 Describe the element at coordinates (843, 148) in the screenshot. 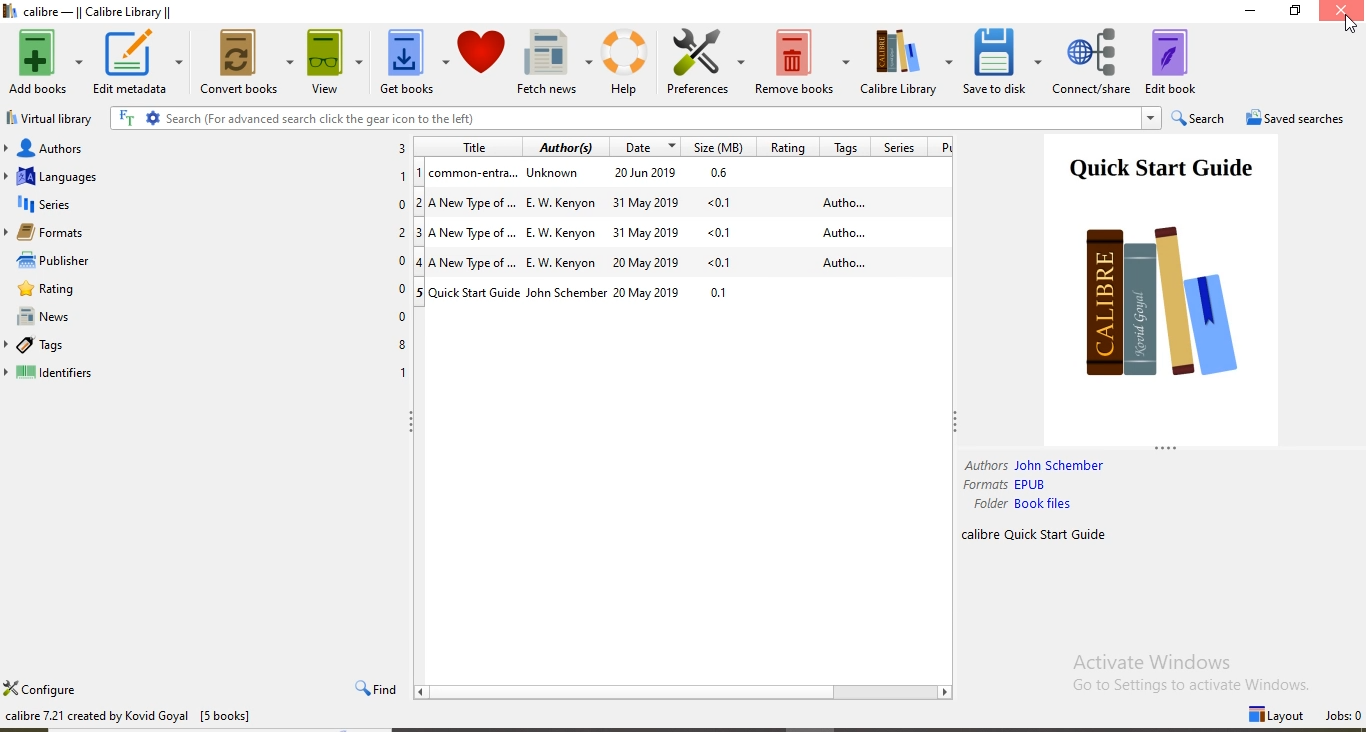

I see `Tags` at that location.